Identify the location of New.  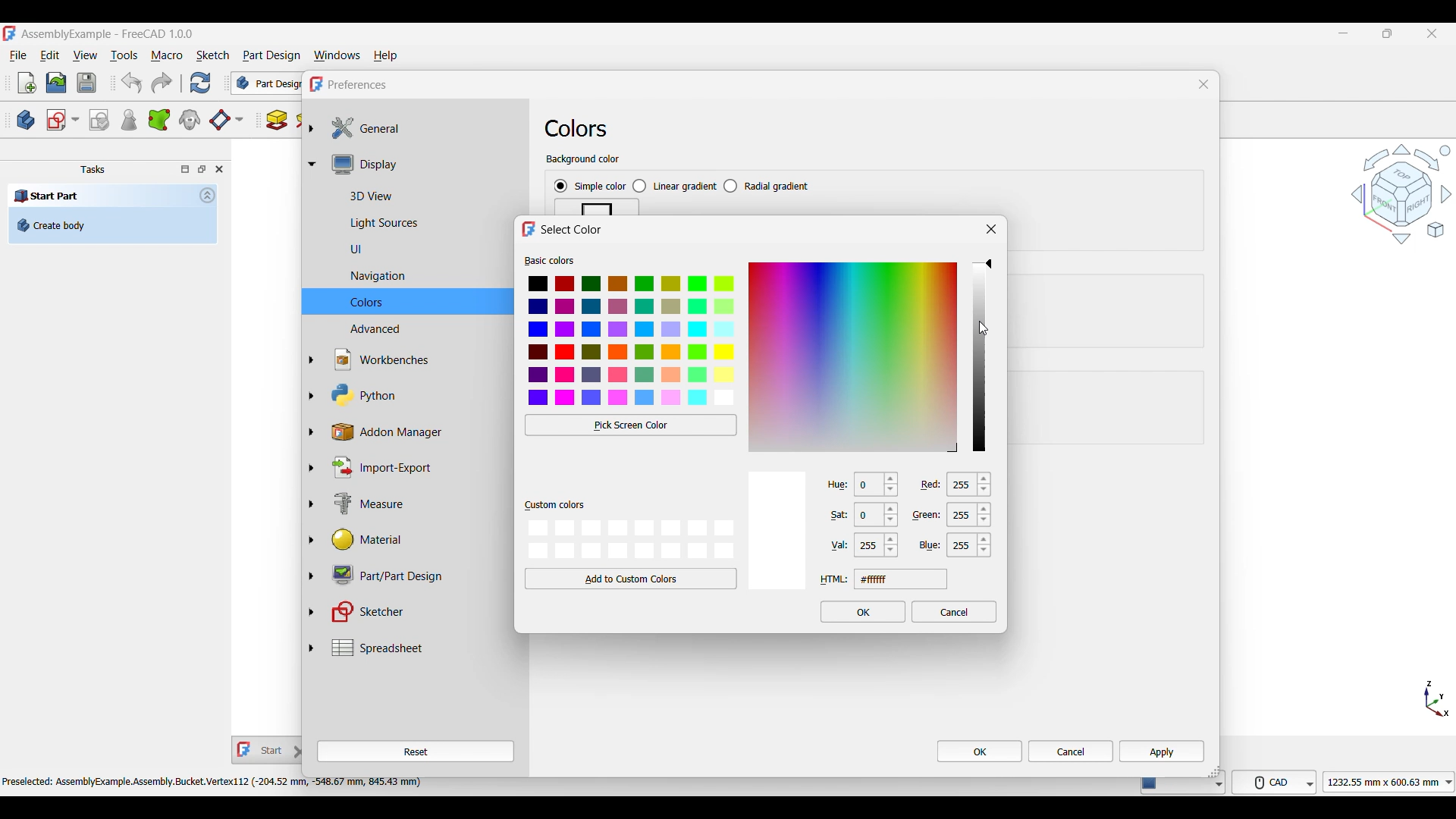
(27, 83).